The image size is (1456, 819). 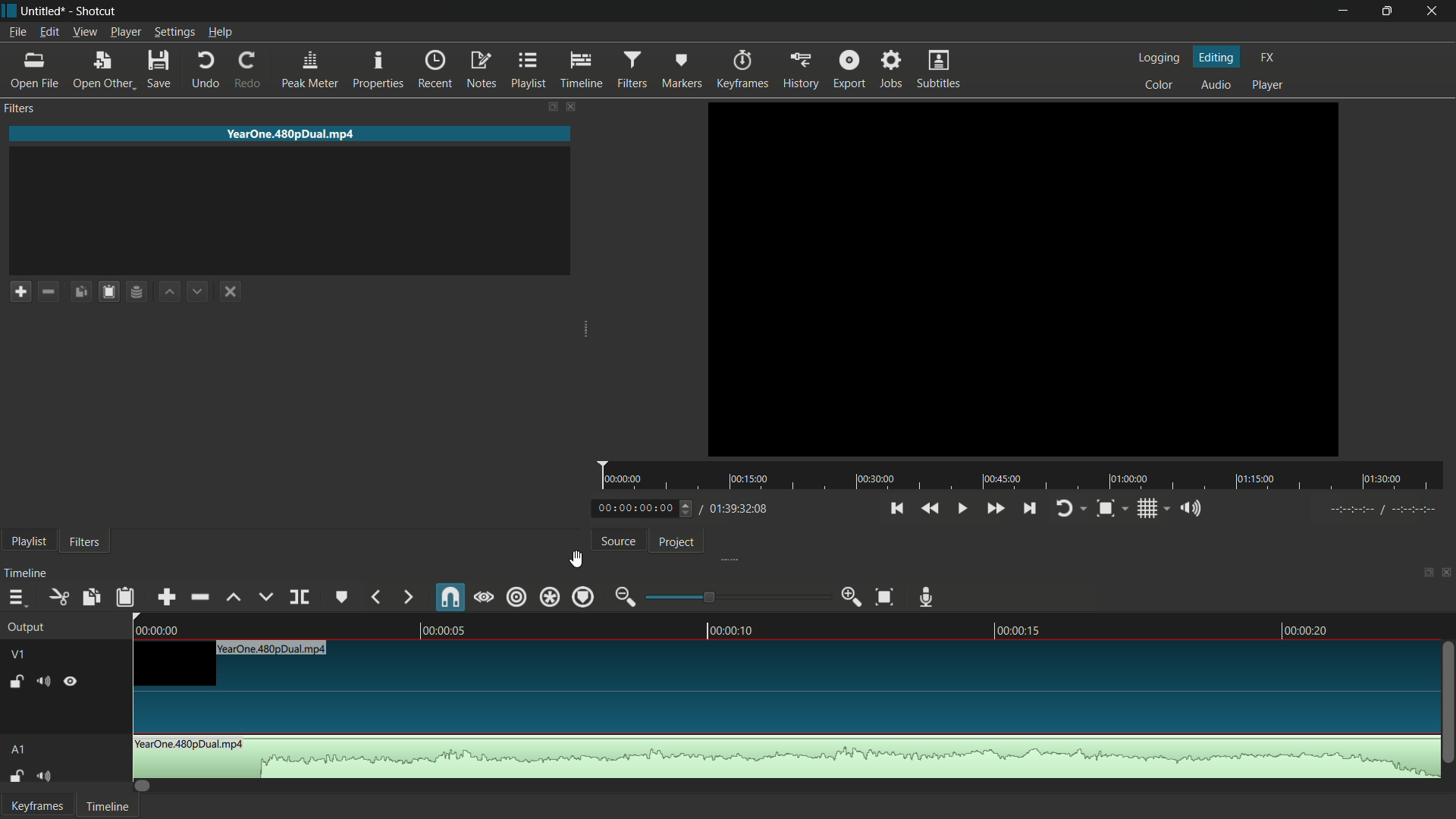 I want to click on hide, so click(x=72, y=683).